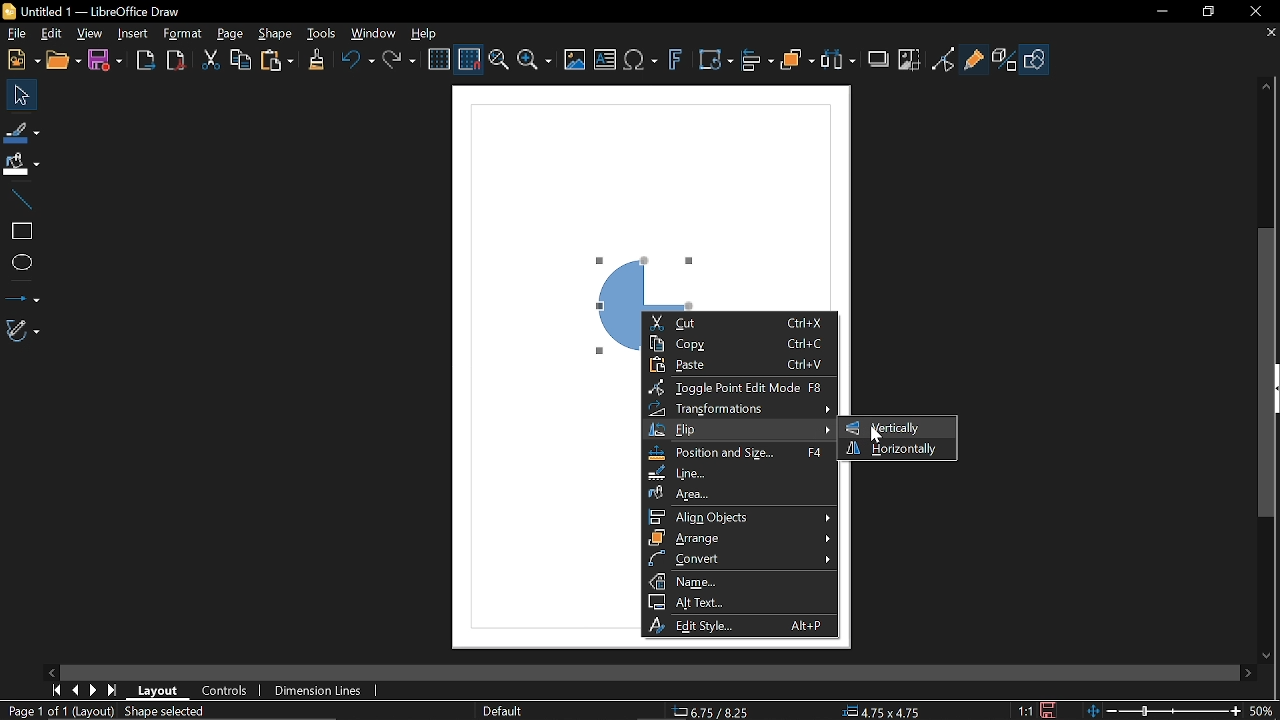  I want to click on transformation, so click(715, 61).